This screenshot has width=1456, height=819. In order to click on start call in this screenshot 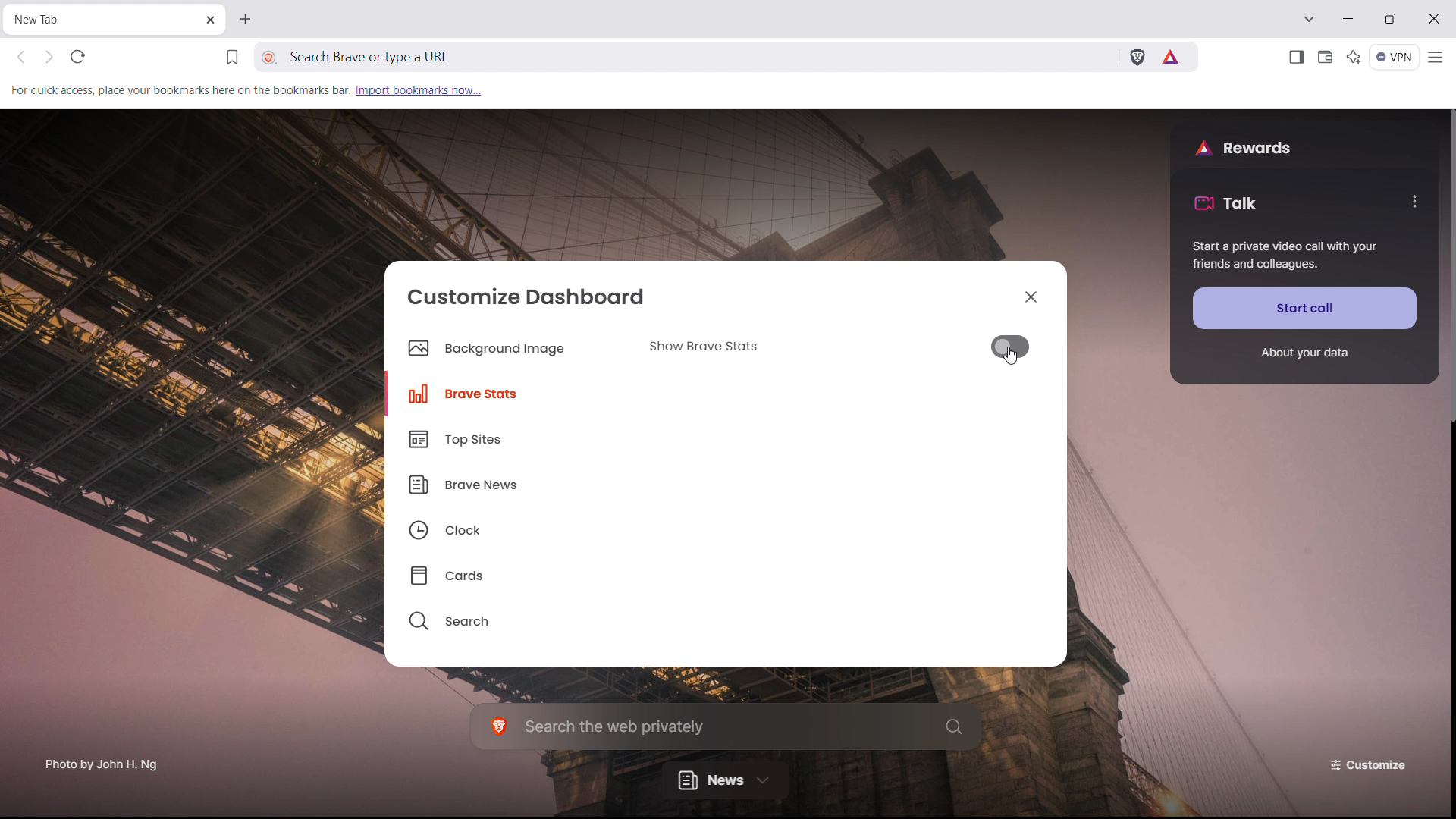, I will do `click(1305, 308)`.